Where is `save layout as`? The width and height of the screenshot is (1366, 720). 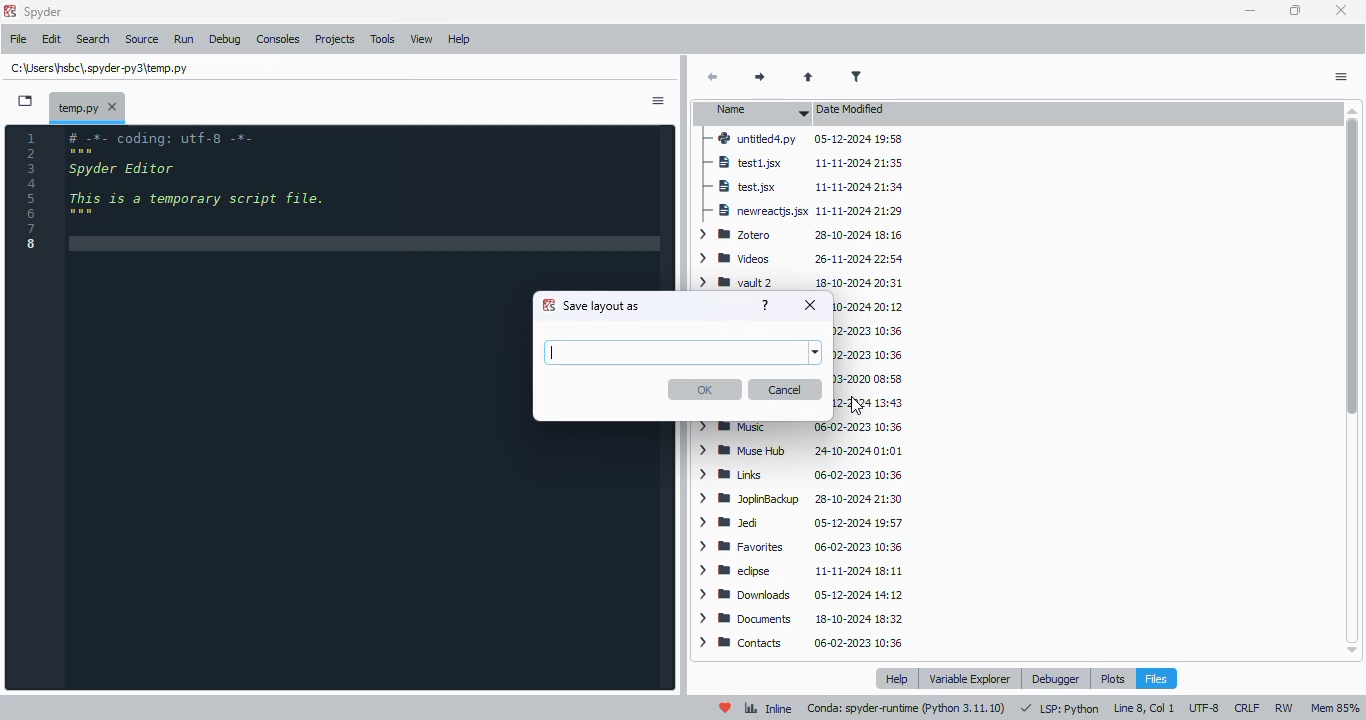
save layout as is located at coordinates (602, 306).